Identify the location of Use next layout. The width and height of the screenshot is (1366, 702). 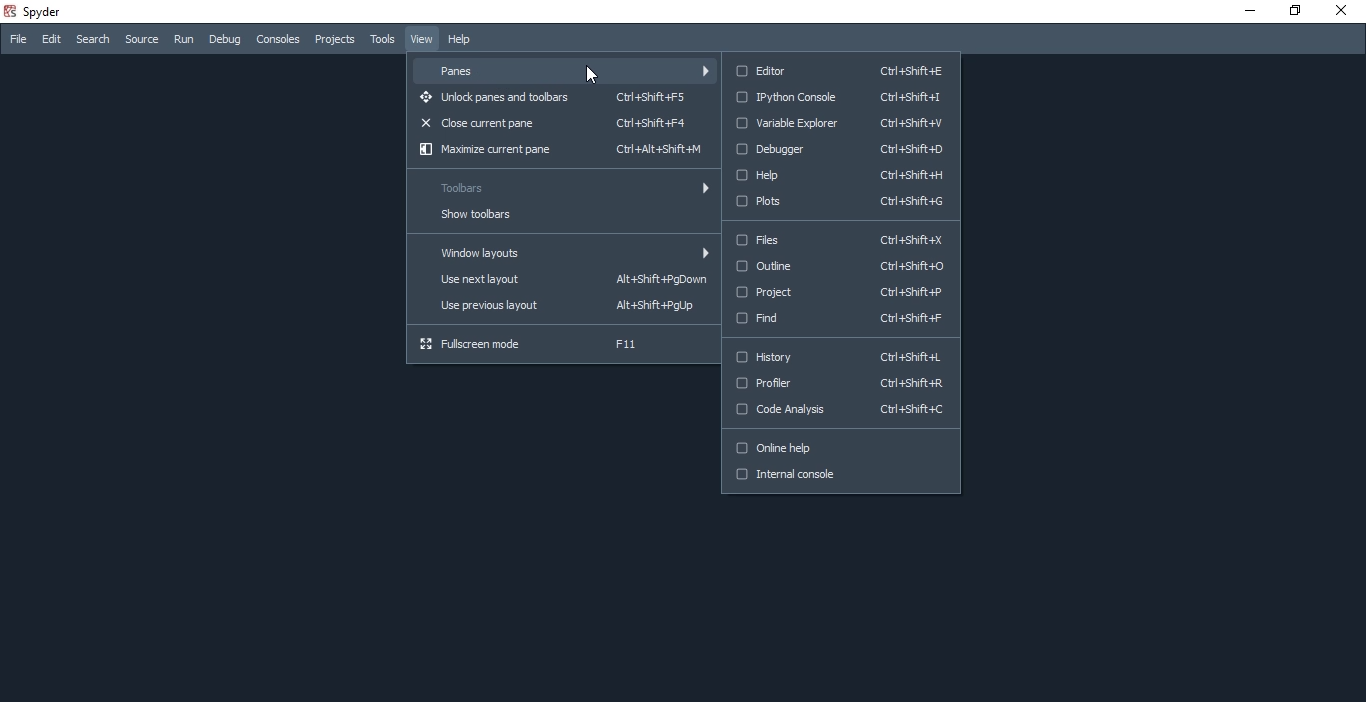
(558, 282).